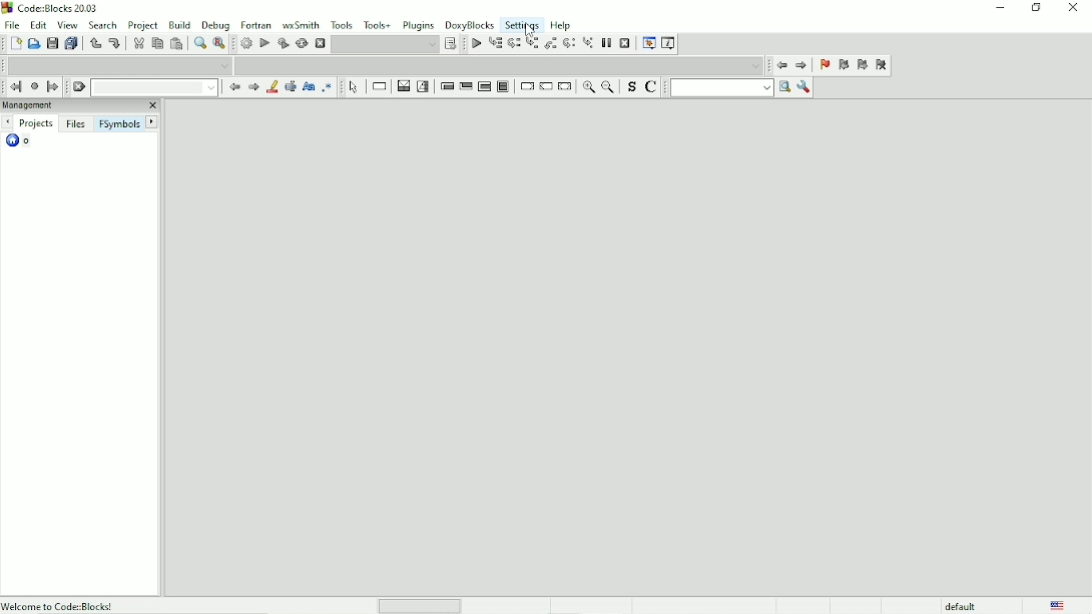 The image size is (1092, 614). What do you see at coordinates (379, 25) in the screenshot?
I see `Tools+` at bounding box center [379, 25].